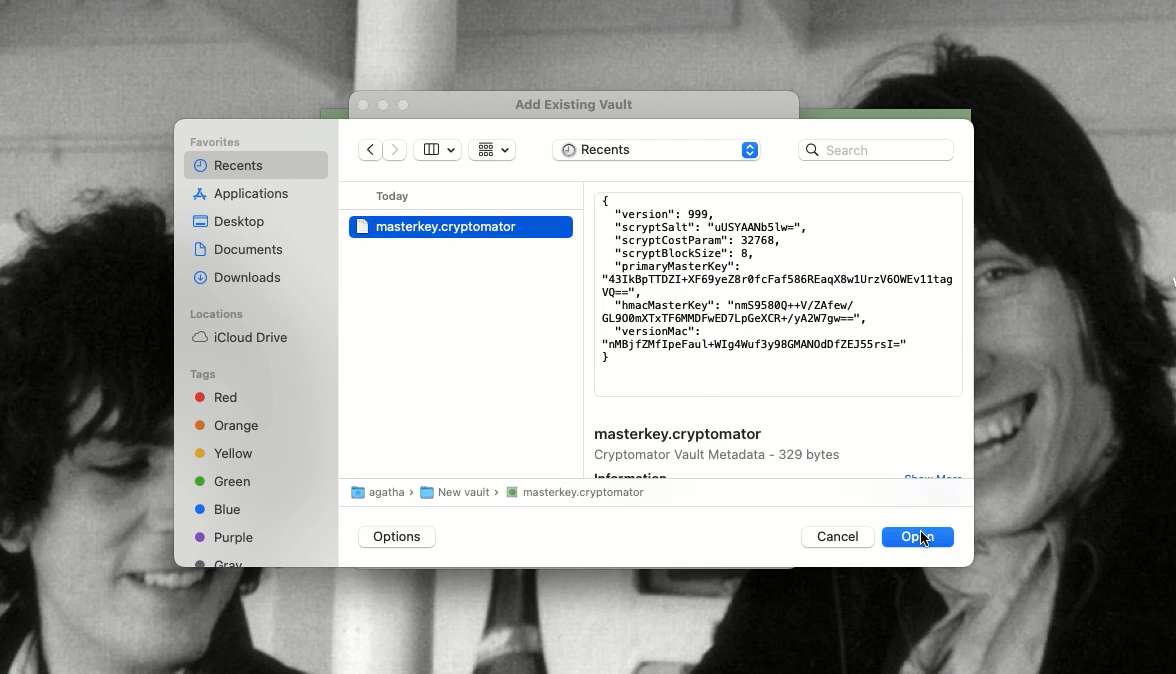 The width and height of the screenshot is (1176, 674). Describe the element at coordinates (245, 195) in the screenshot. I see `Applications` at that location.